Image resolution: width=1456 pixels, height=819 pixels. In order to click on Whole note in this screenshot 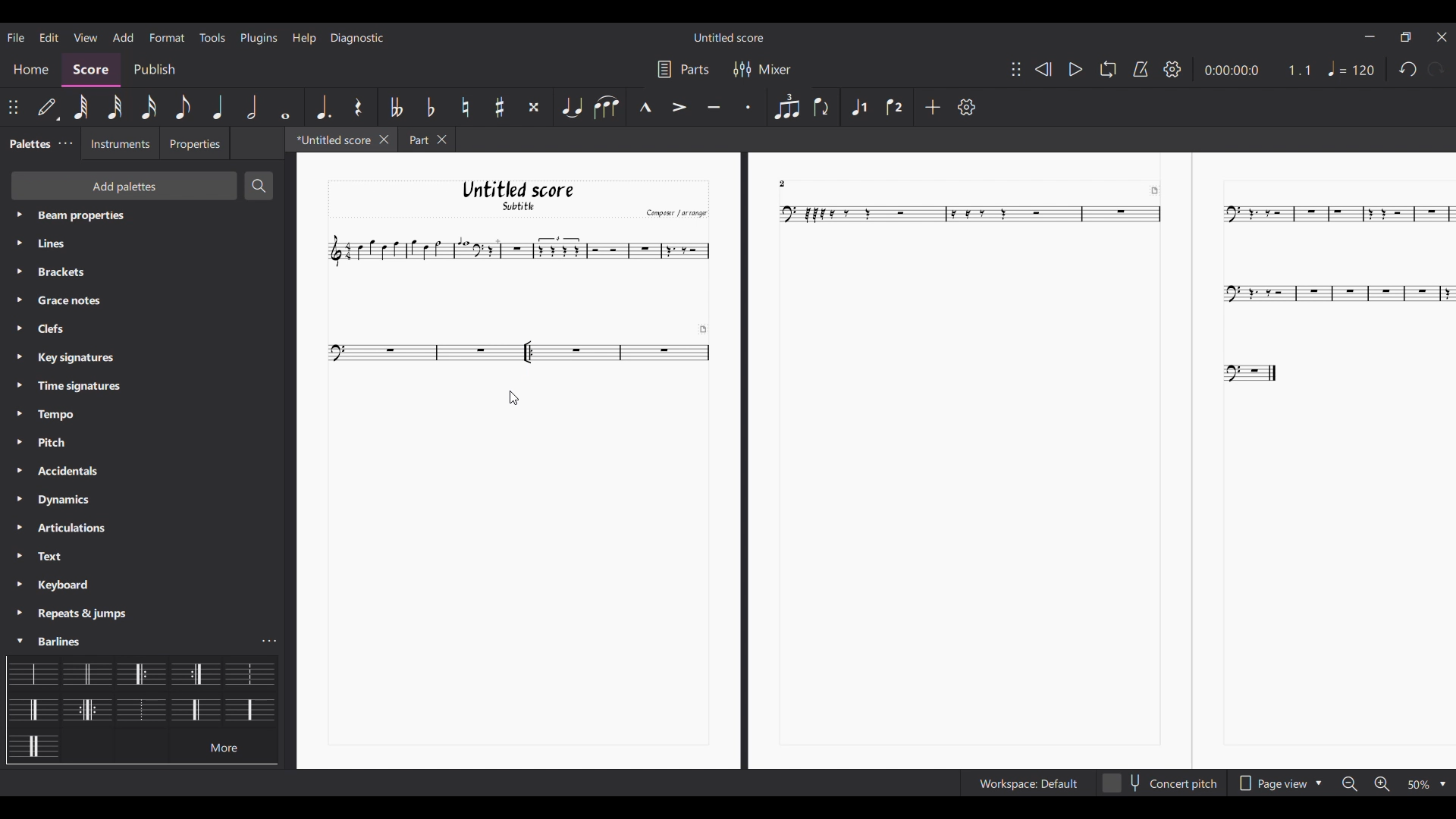, I will do `click(285, 107)`.